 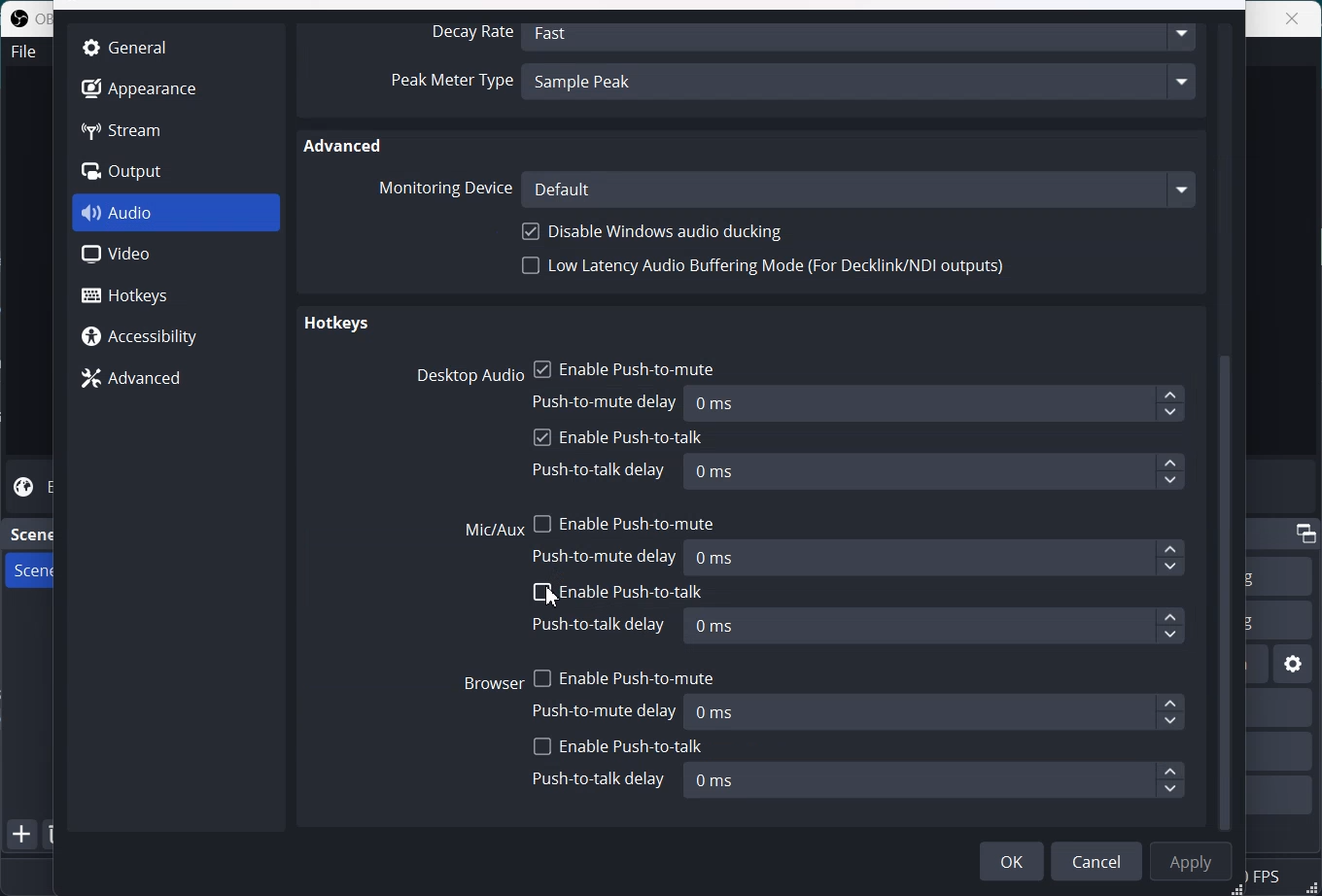 What do you see at coordinates (599, 779) in the screenshot?
I see `Push-to-talk delay` at bounding box center [599, 779].